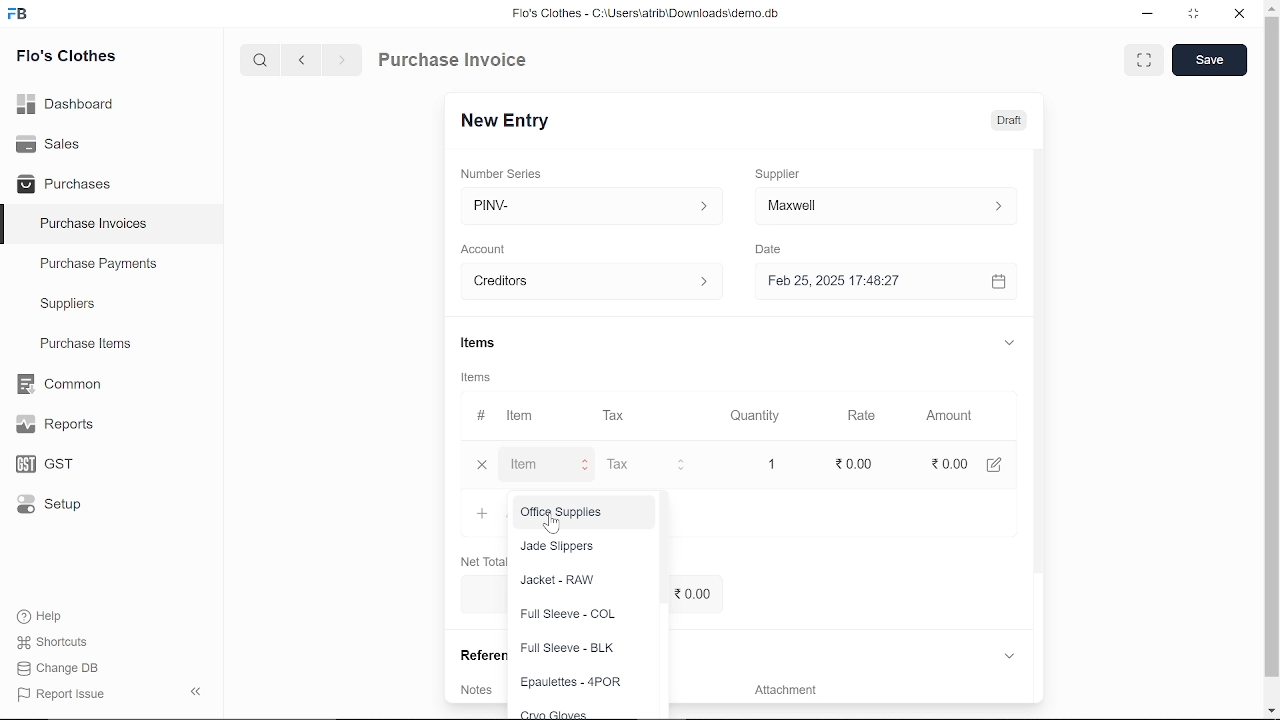 This screenshot has width=1280, height=720. What do you see at coordinates (1272, 710) in the screenshot?
I see `move down` at bounding box center [1272, 710].